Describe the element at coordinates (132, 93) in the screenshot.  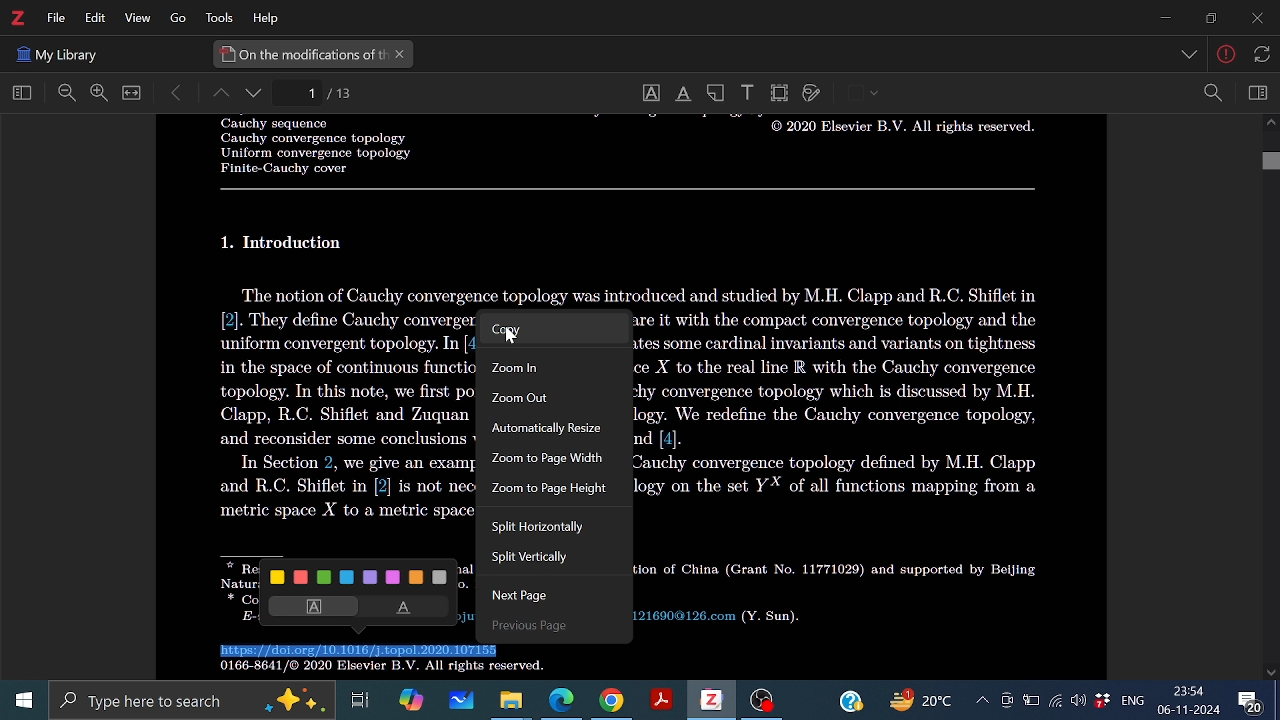
I see `Full view` at that location.